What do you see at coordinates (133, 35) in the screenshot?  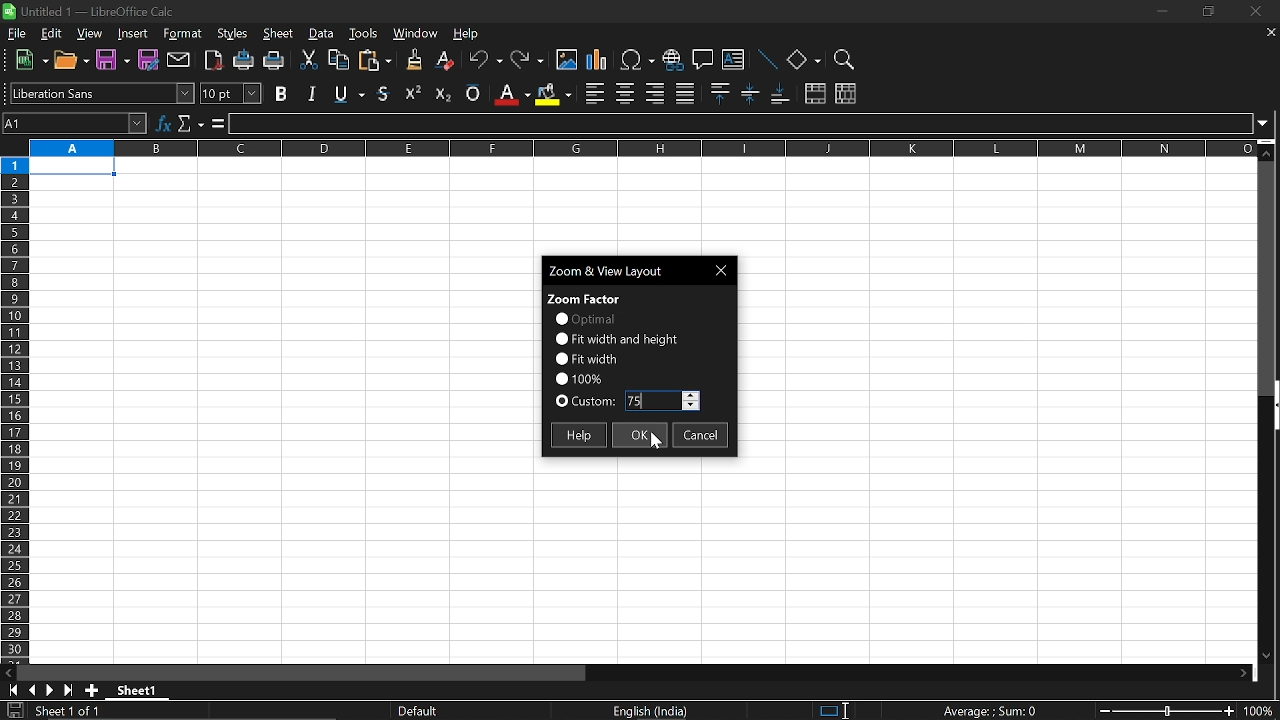 I see `Insert` at bounding box center [133, 35].